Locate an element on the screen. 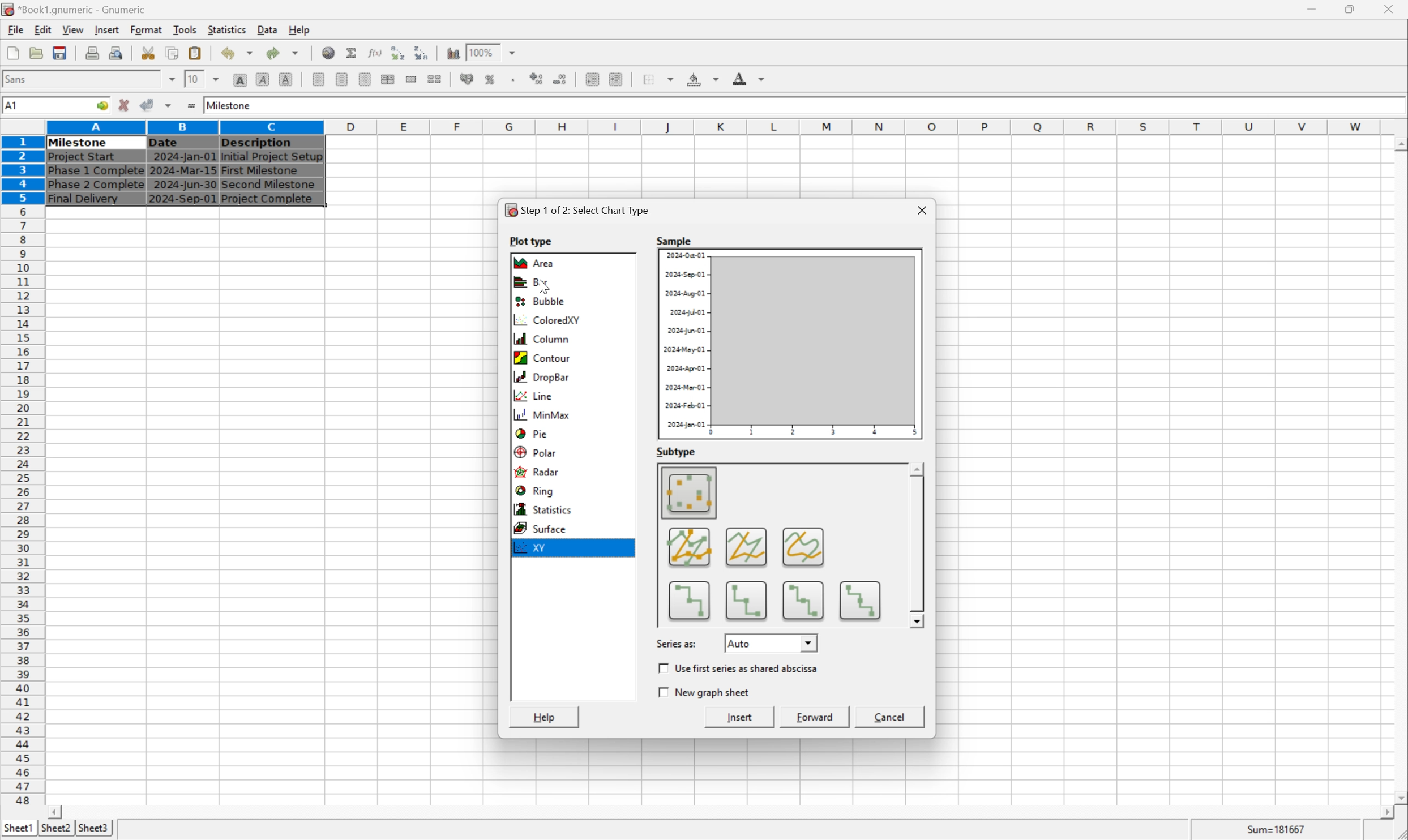 This screenshot has height=840, width=1408. insert is located at coordinates (106, 31).